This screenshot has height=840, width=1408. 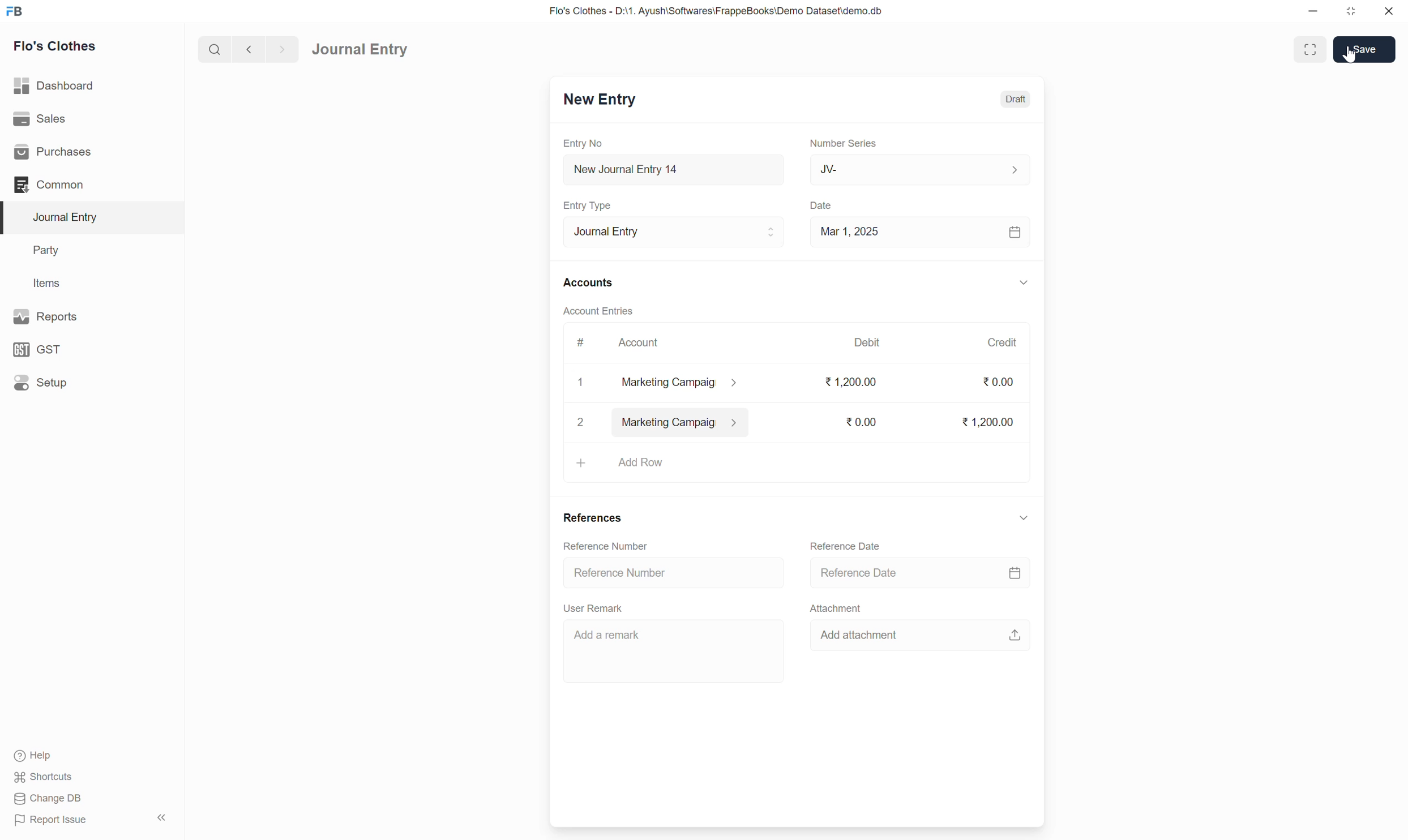 What do you see at coordinates (688, 383) in the screenshot?
I see `marketing campaig` at bounding box center [688, 383].